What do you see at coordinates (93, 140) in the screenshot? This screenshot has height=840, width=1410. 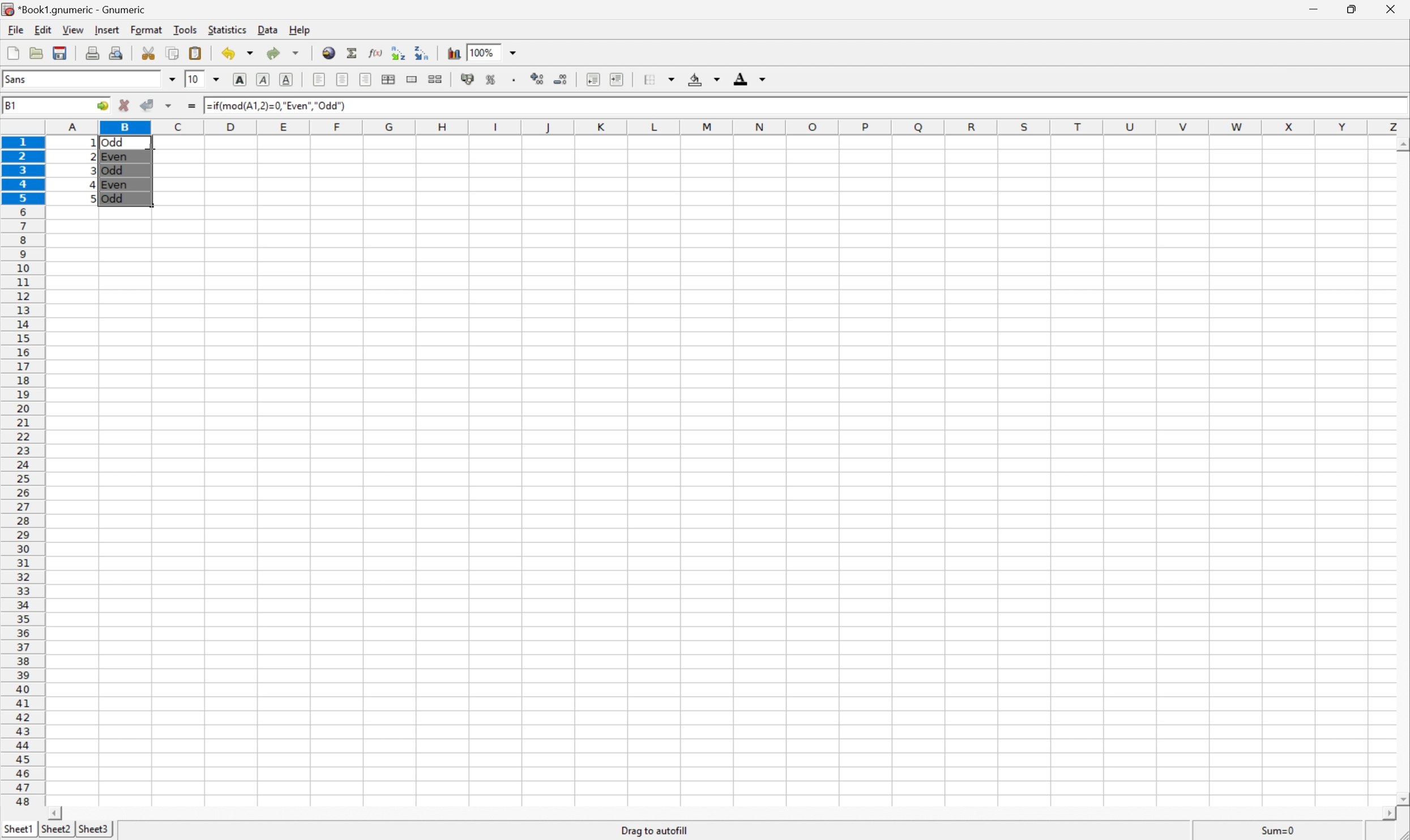 I see `` at bounding box center [93, 140].